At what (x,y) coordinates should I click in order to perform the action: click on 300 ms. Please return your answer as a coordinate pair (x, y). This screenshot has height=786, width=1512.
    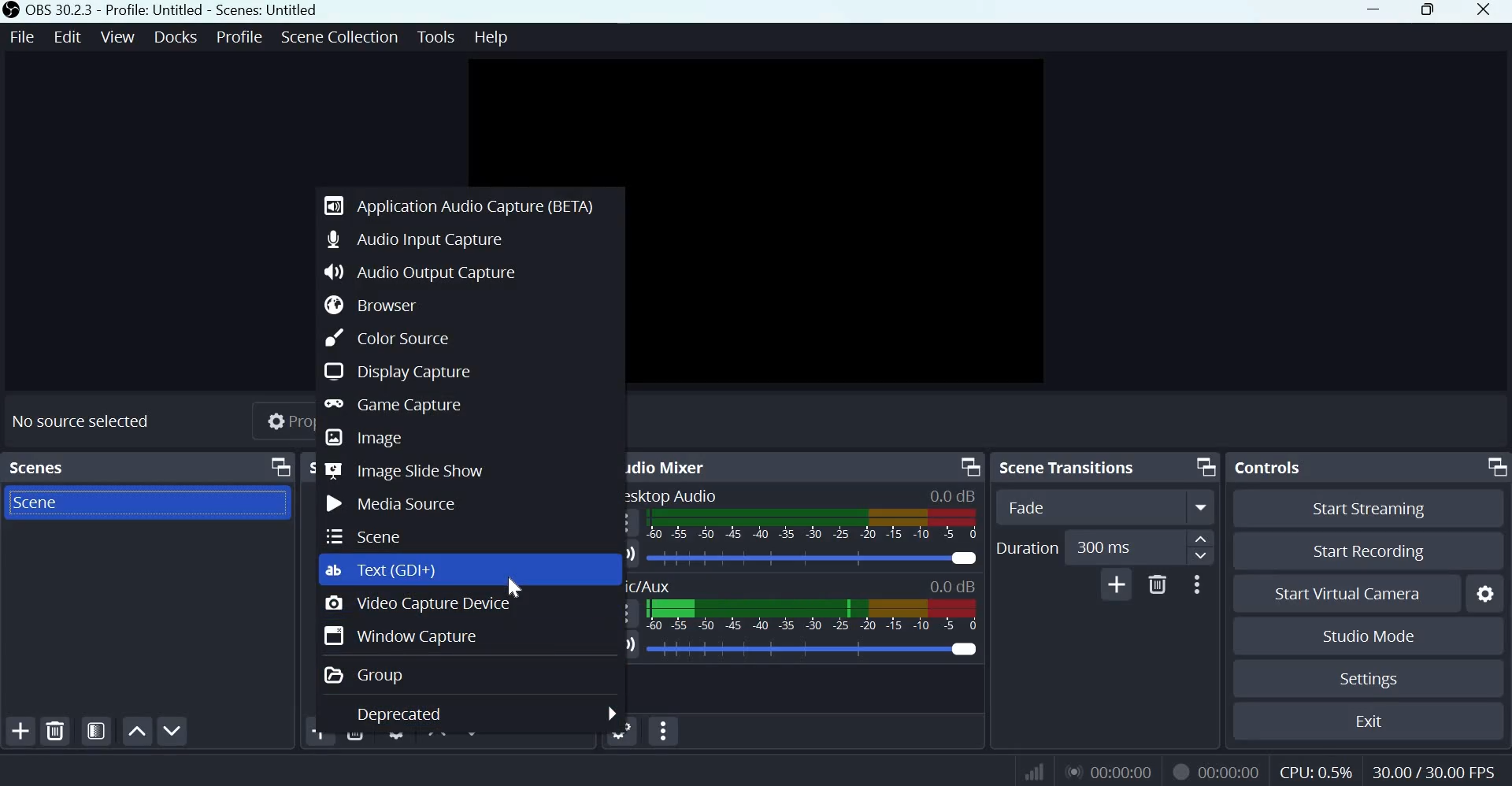
    Looking at the image, I should click on (1118, 547).